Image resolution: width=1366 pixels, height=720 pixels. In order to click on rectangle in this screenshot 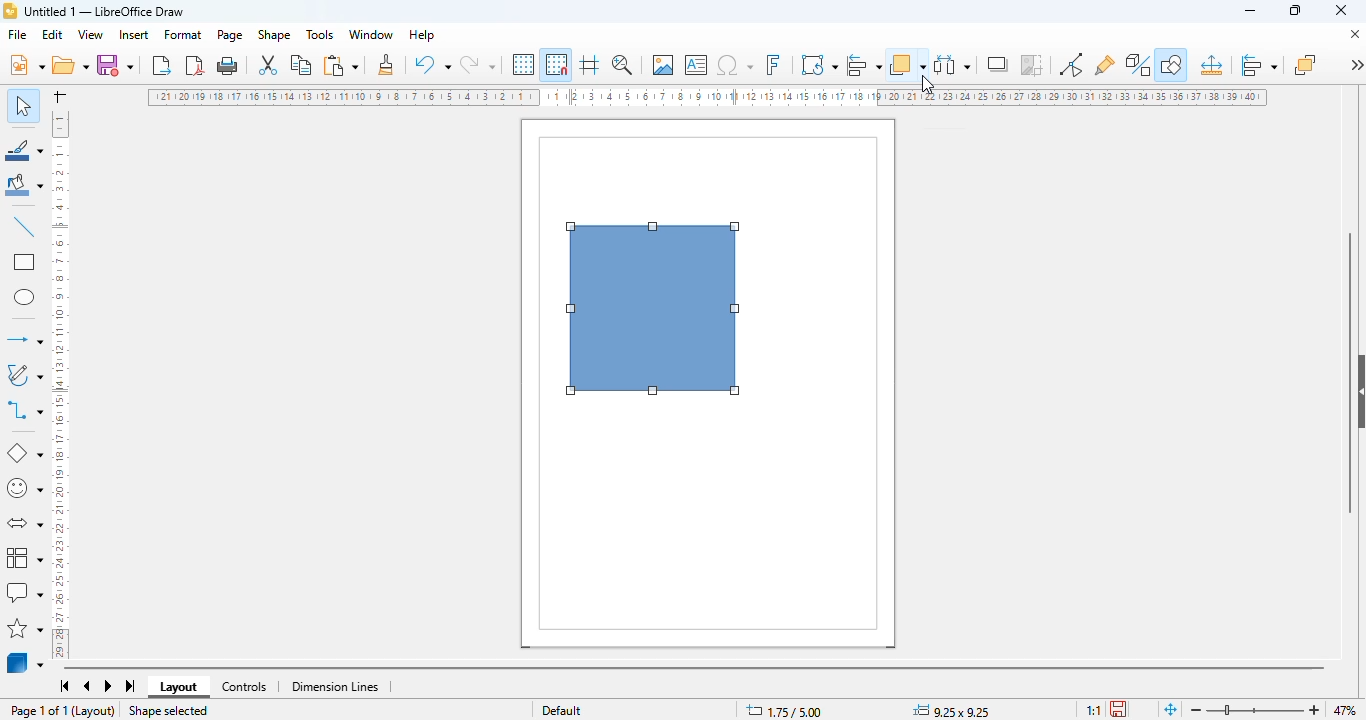, I will do `click(23, 262)`.